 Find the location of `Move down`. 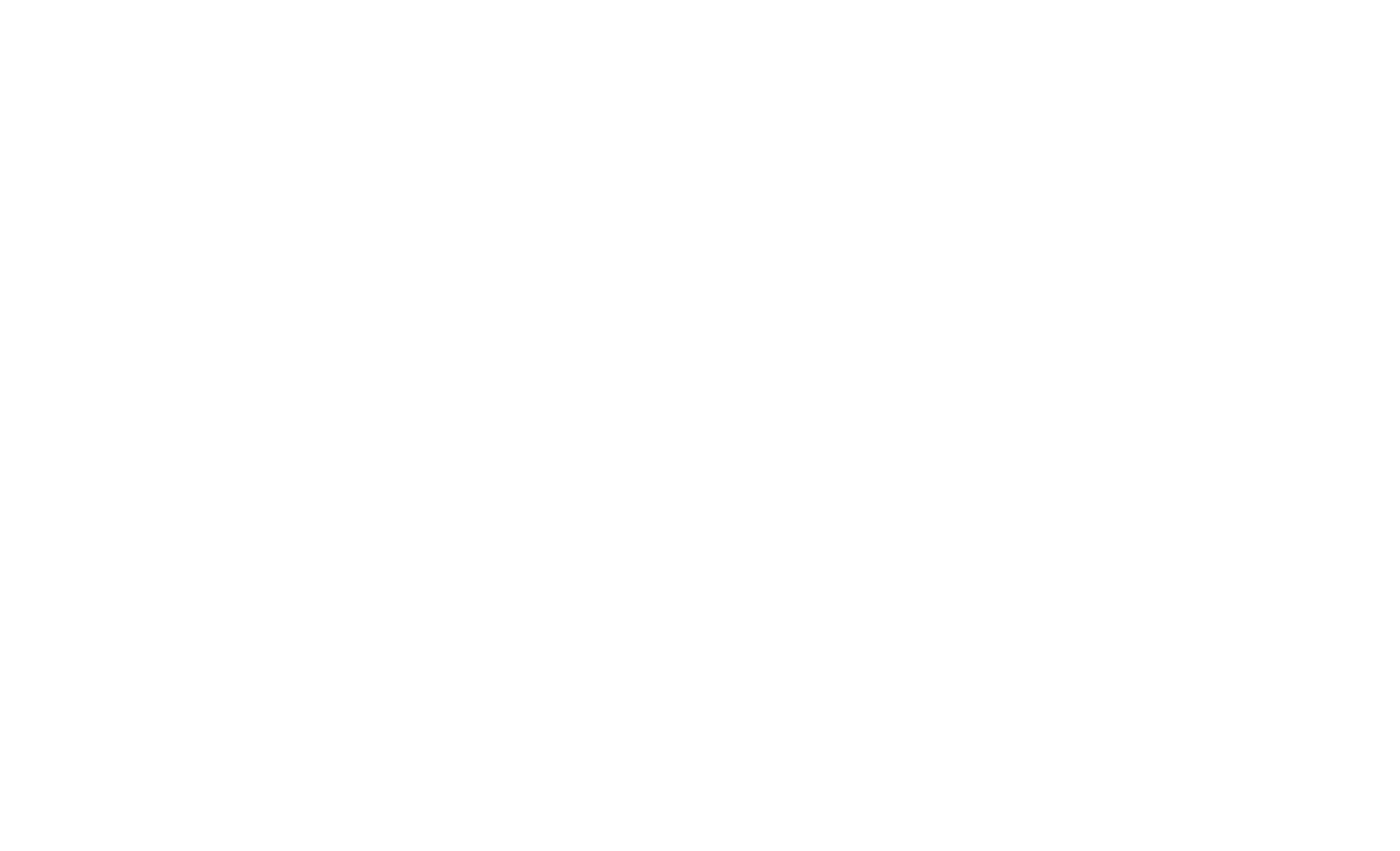

Move down is located at coordinates (166, 802).